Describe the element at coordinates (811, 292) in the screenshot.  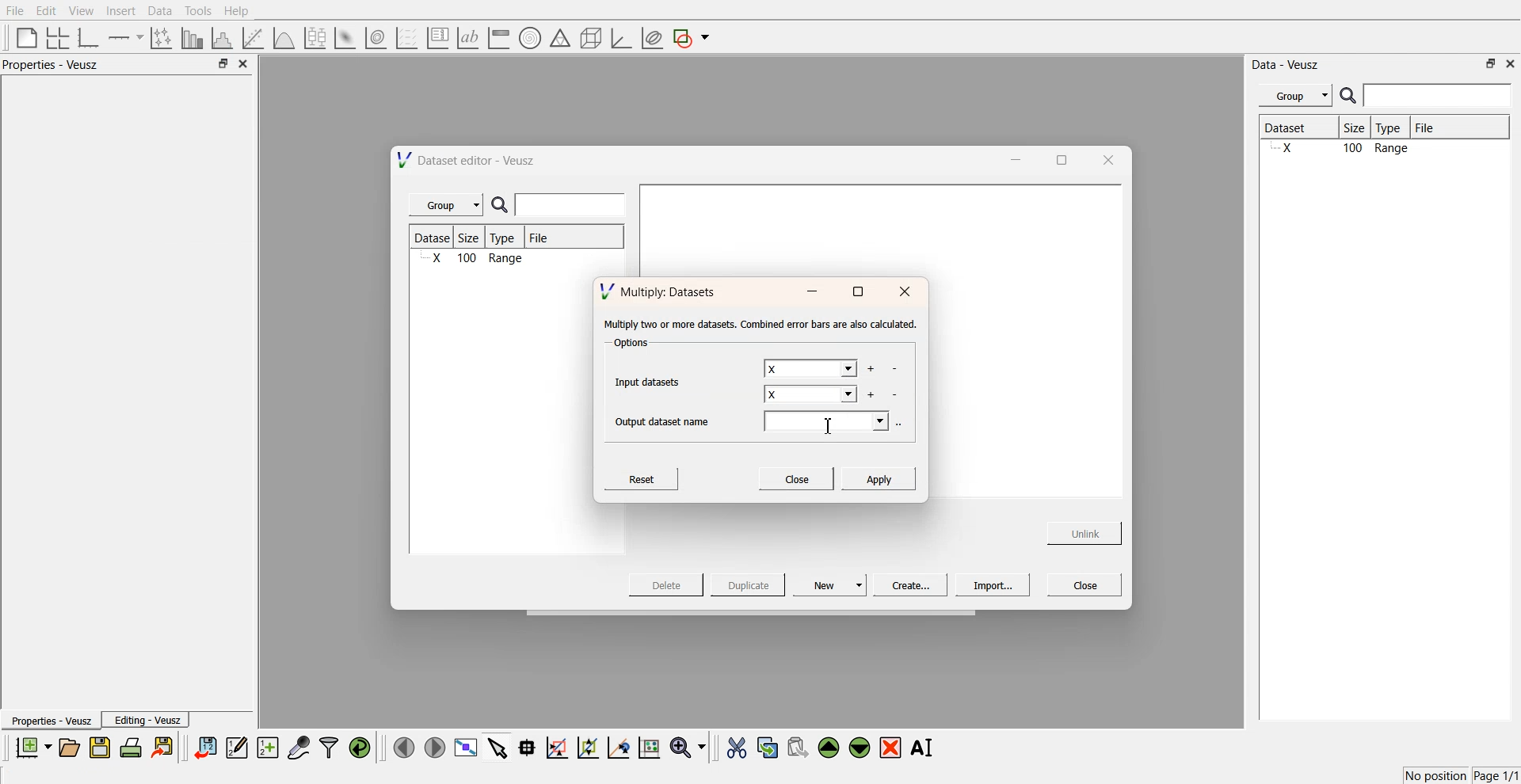
I see `minimise` at that location.